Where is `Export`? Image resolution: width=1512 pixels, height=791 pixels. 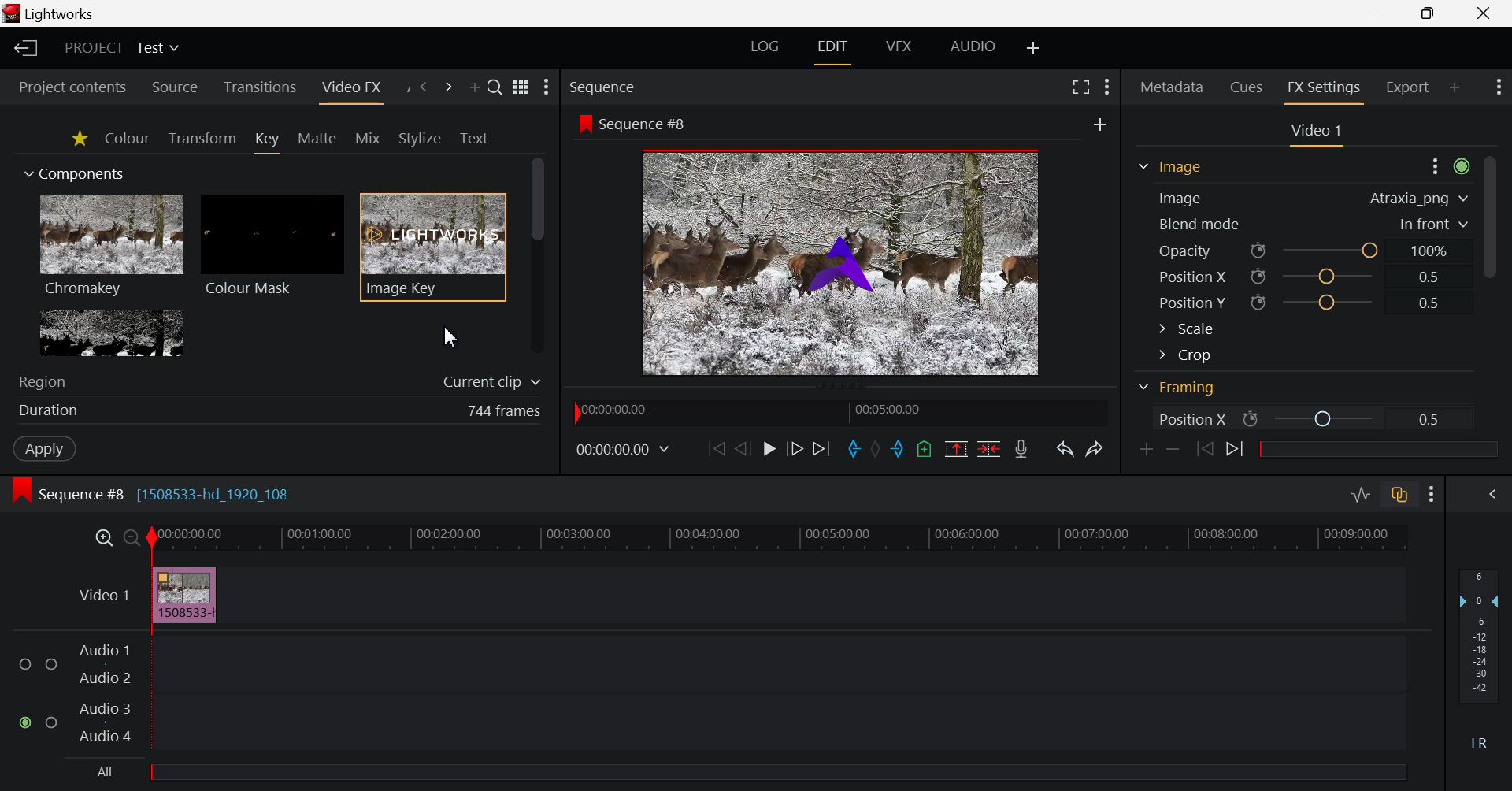
Export is located at coordinates (1405, 87).